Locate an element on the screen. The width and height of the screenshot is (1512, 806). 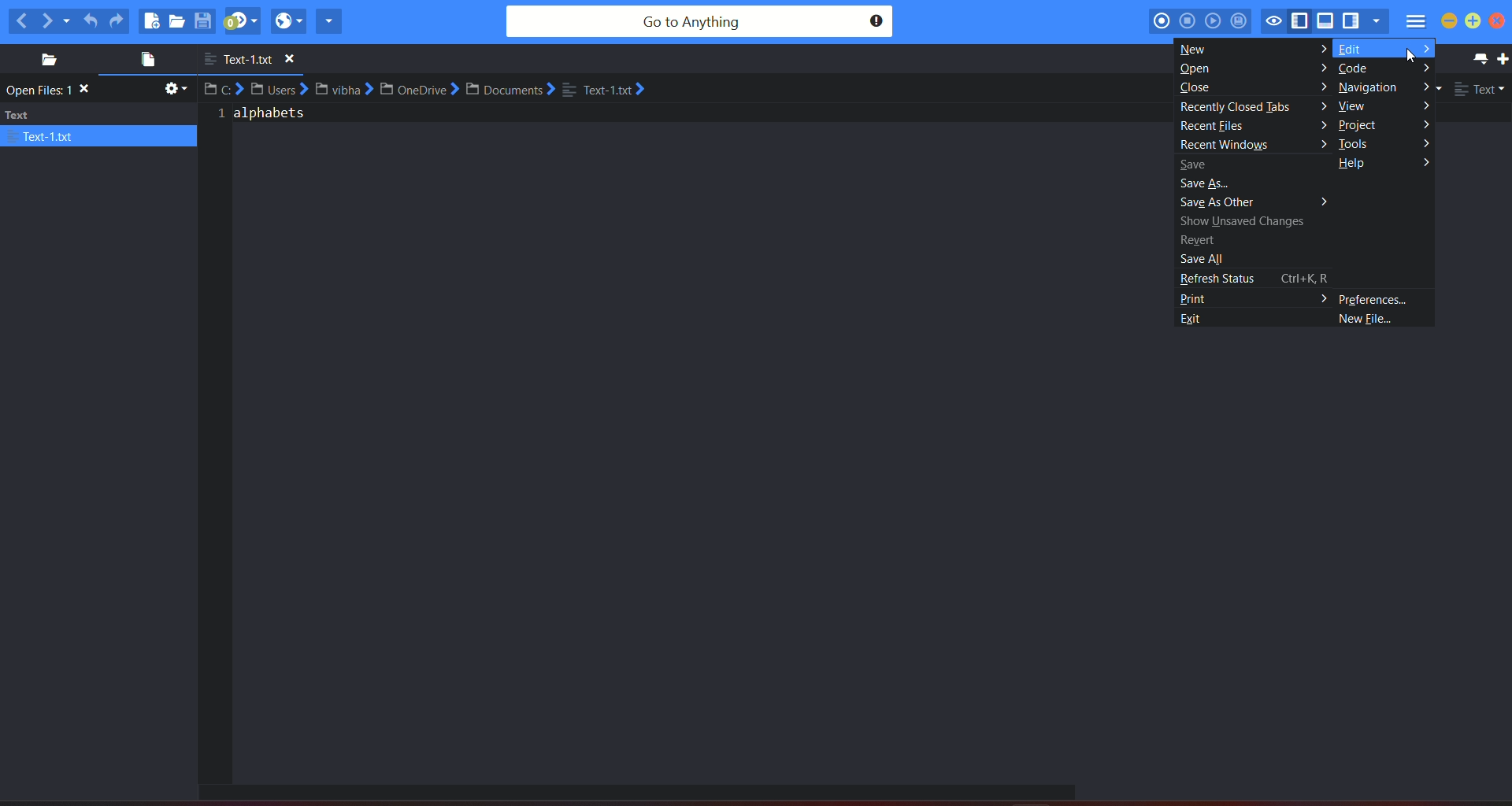
Recent Windows is located at coordinates (1220, 144).